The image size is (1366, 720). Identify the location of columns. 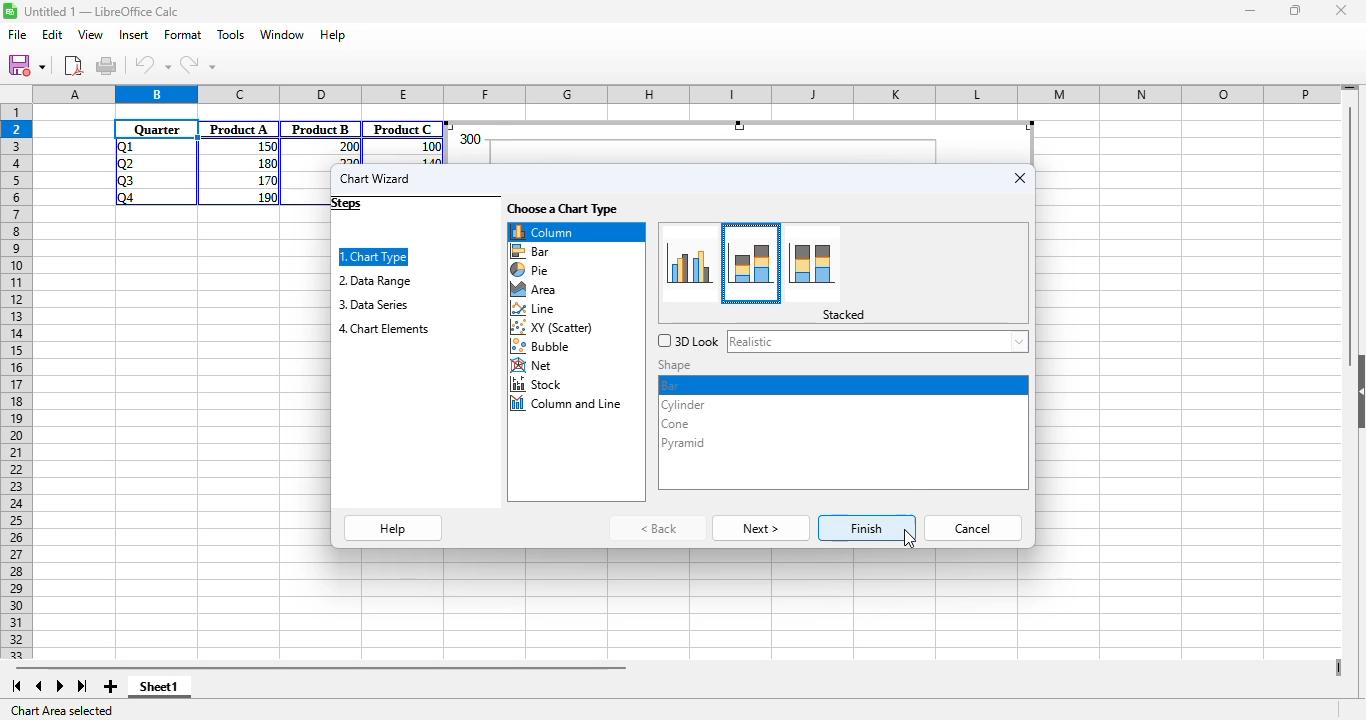
(688, 95).